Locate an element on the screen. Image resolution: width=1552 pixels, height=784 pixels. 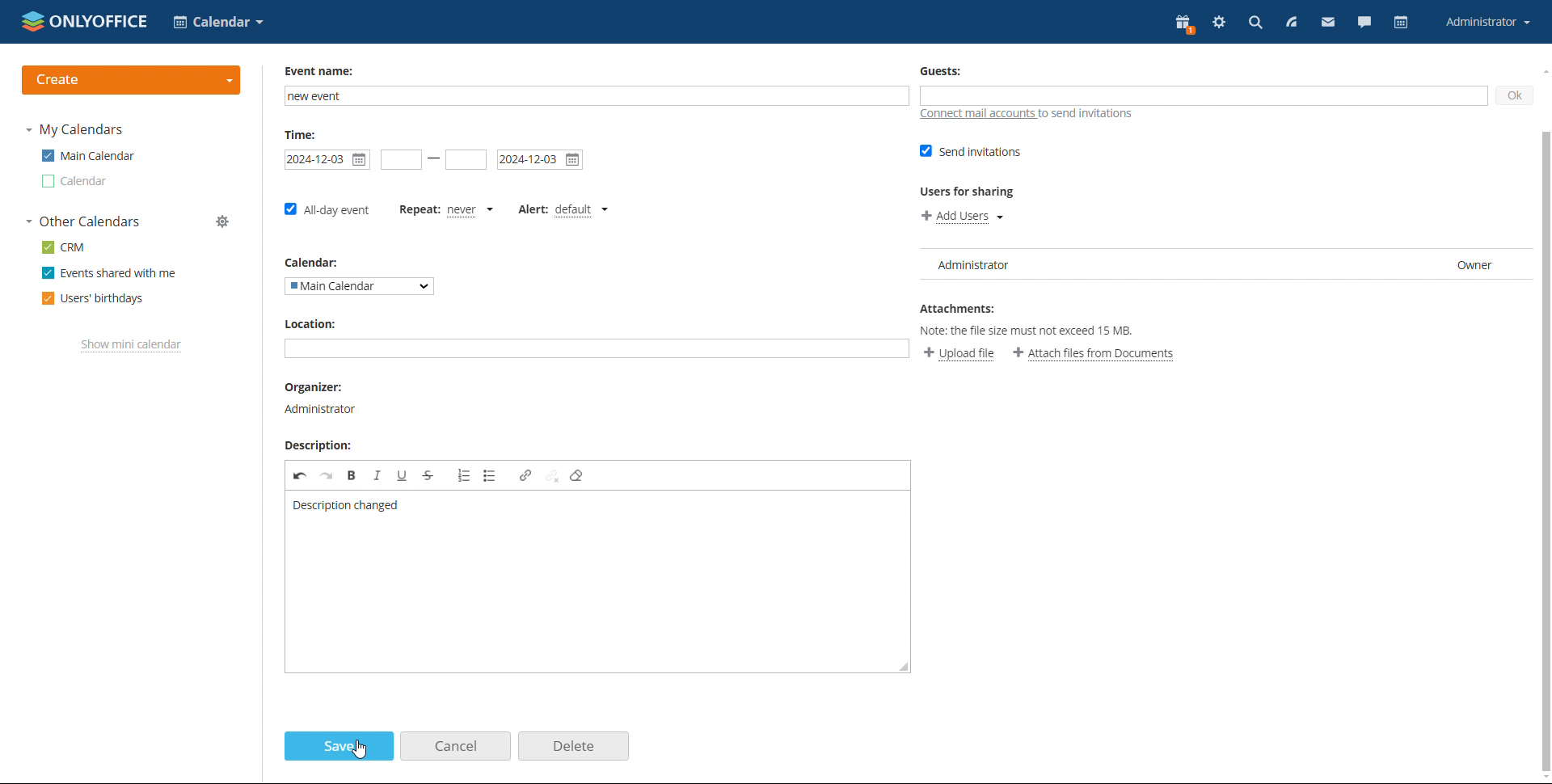
Guests: is located at coordinates (947, 73).